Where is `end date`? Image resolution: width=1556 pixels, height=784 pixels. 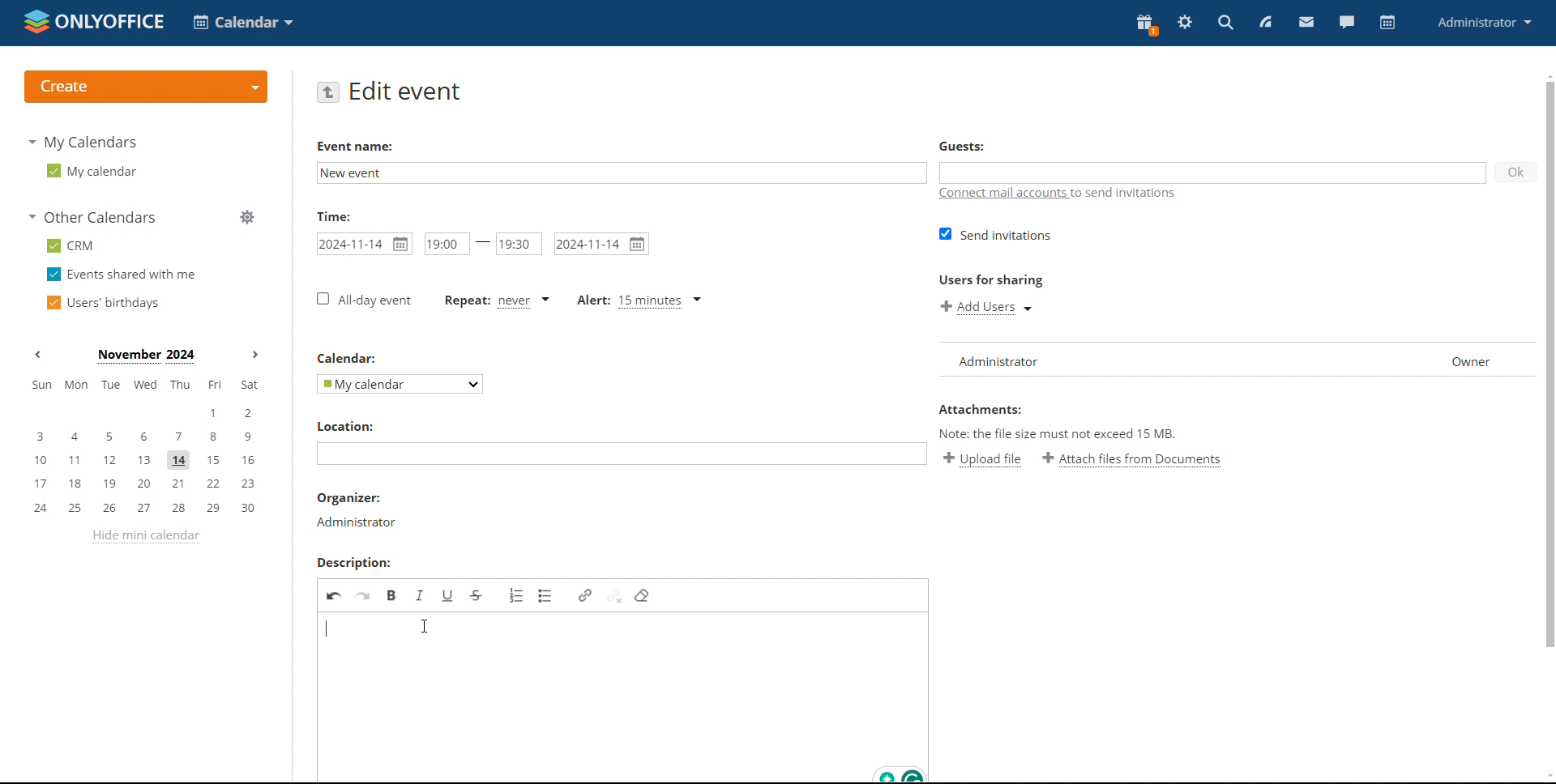
end date is located at coordinates (600, 245).